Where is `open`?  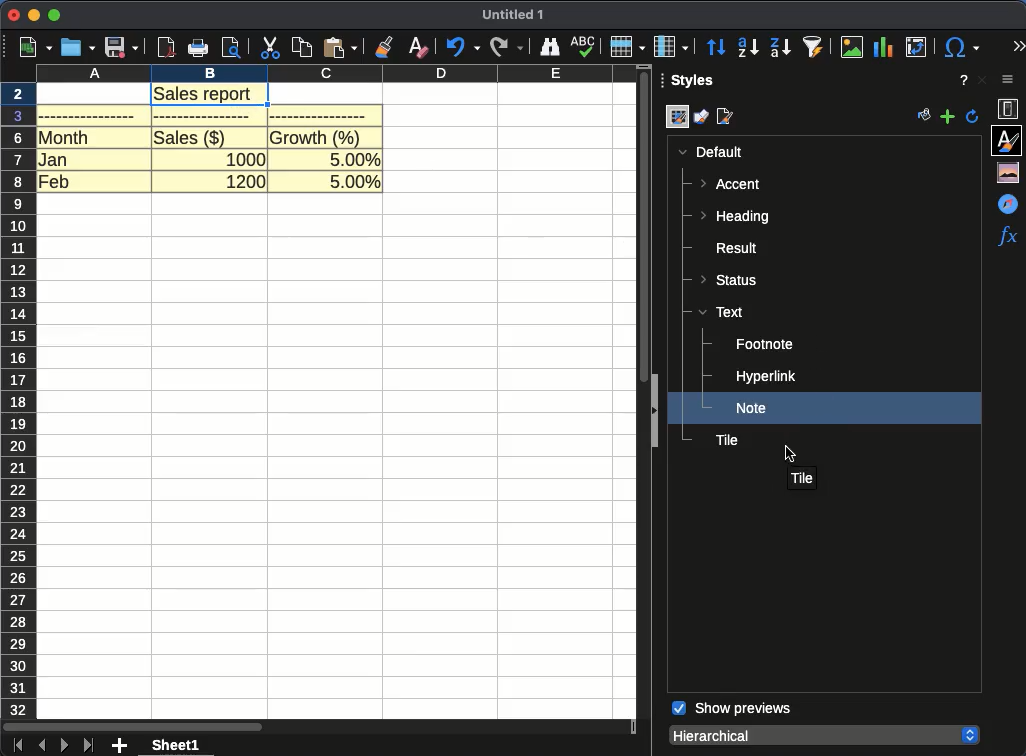
open is located at coordinates (78, 48).